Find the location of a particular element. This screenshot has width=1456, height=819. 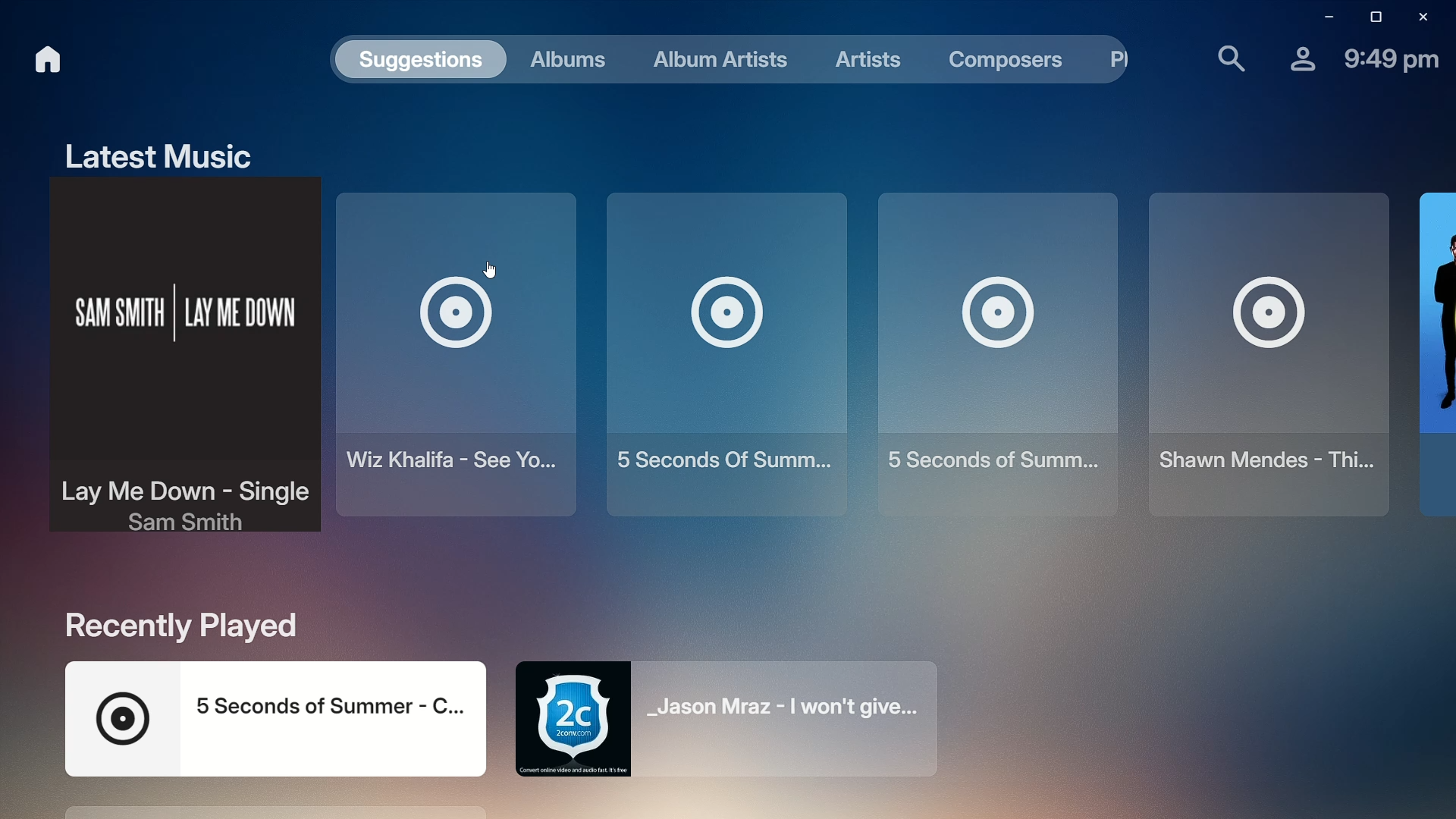

Artists is located at coordinates (857, 57).